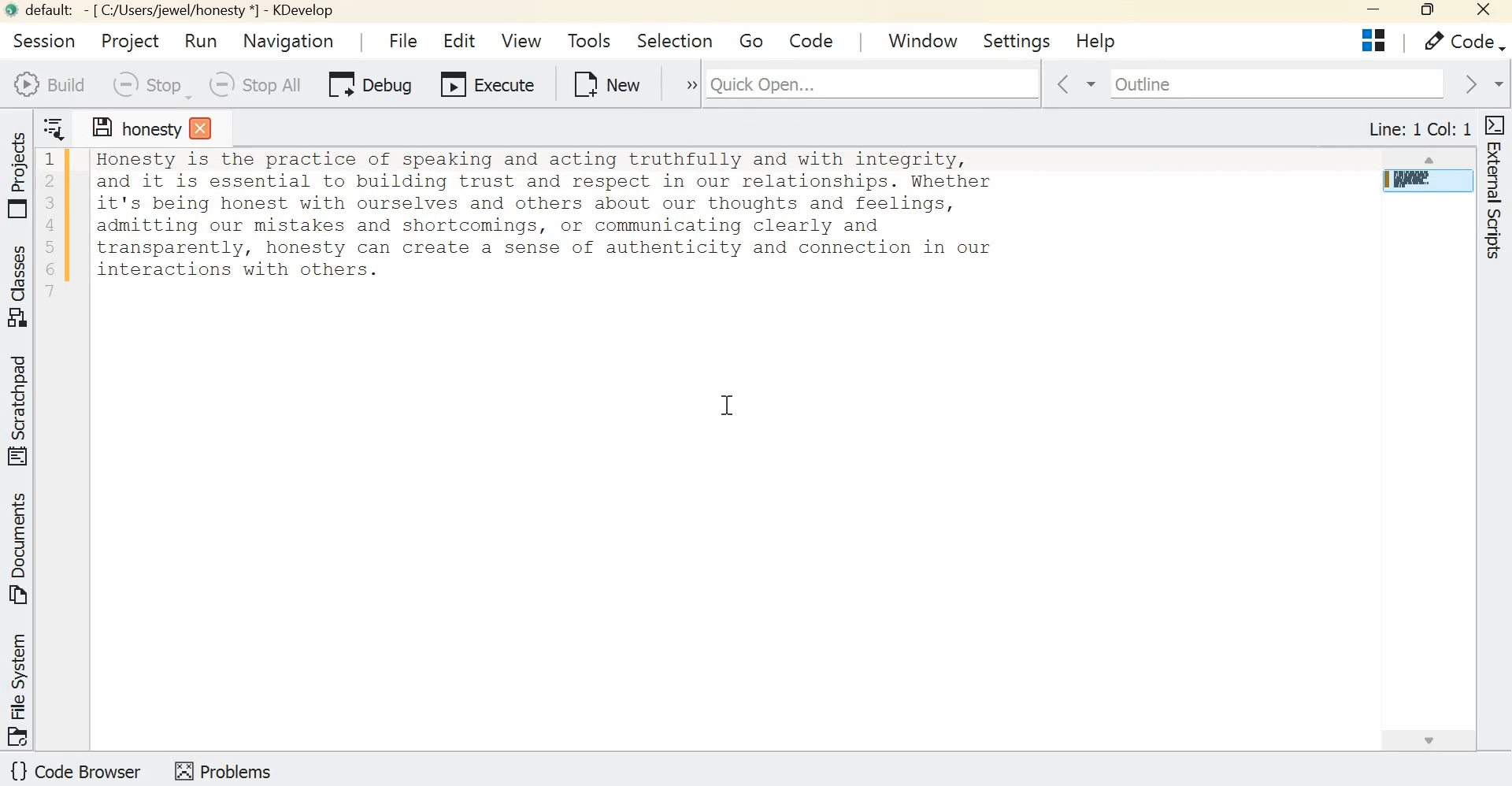  I want to click on Code, so click(1458, 42).